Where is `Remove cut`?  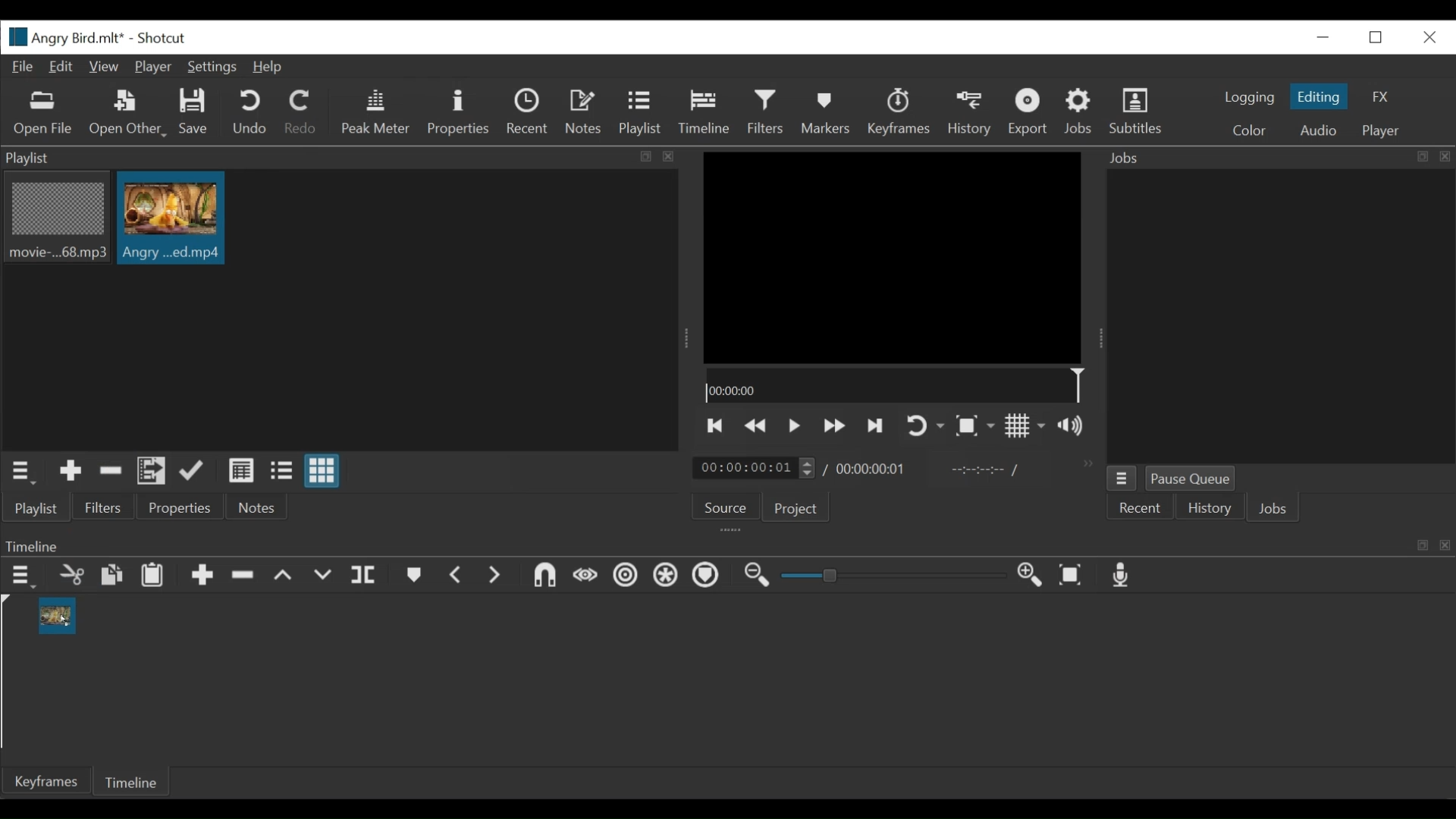
Remove cut is located at coordinates (111, 472).